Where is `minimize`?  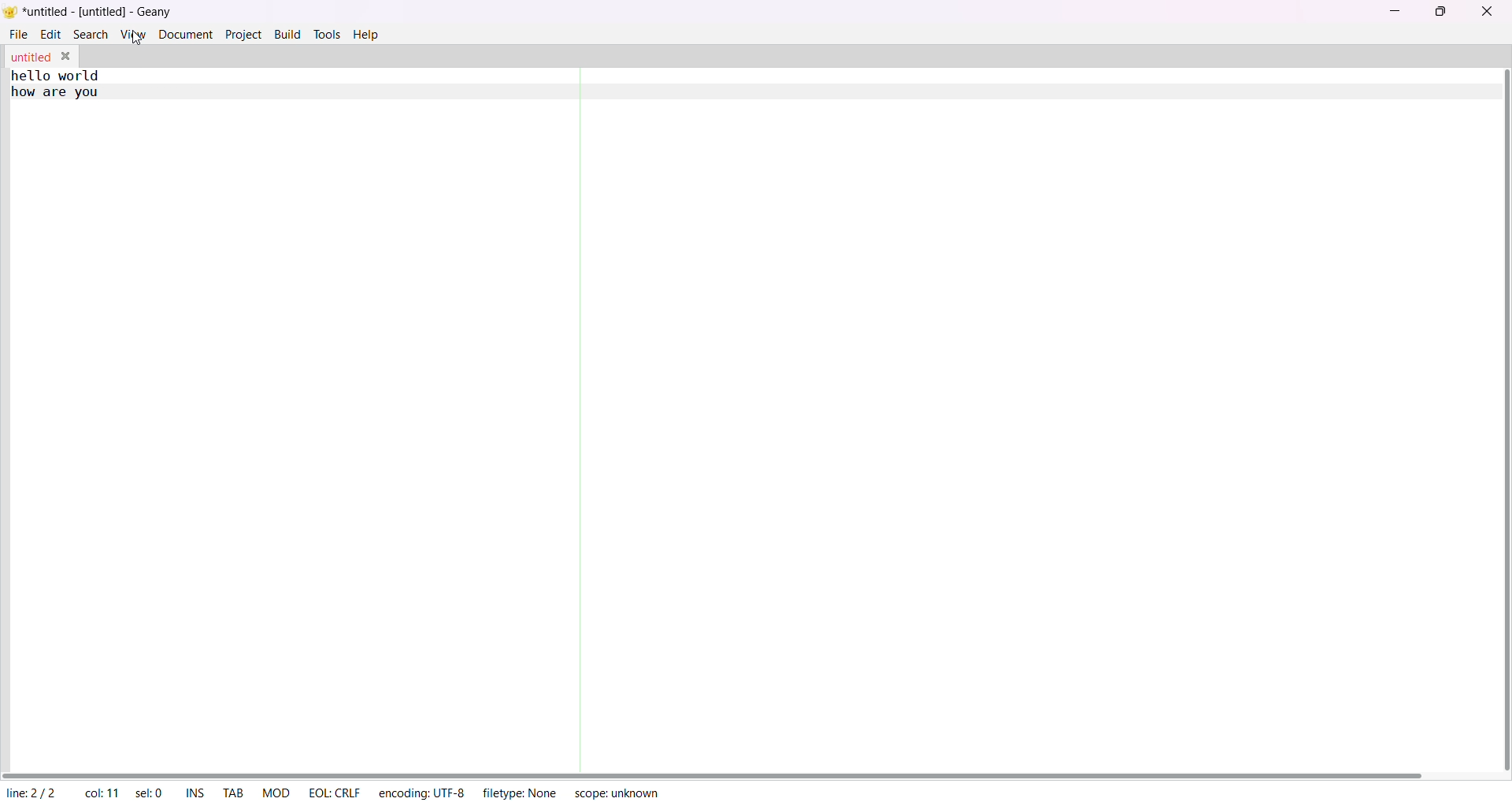 minimize is located at coordinates (1392, 13).